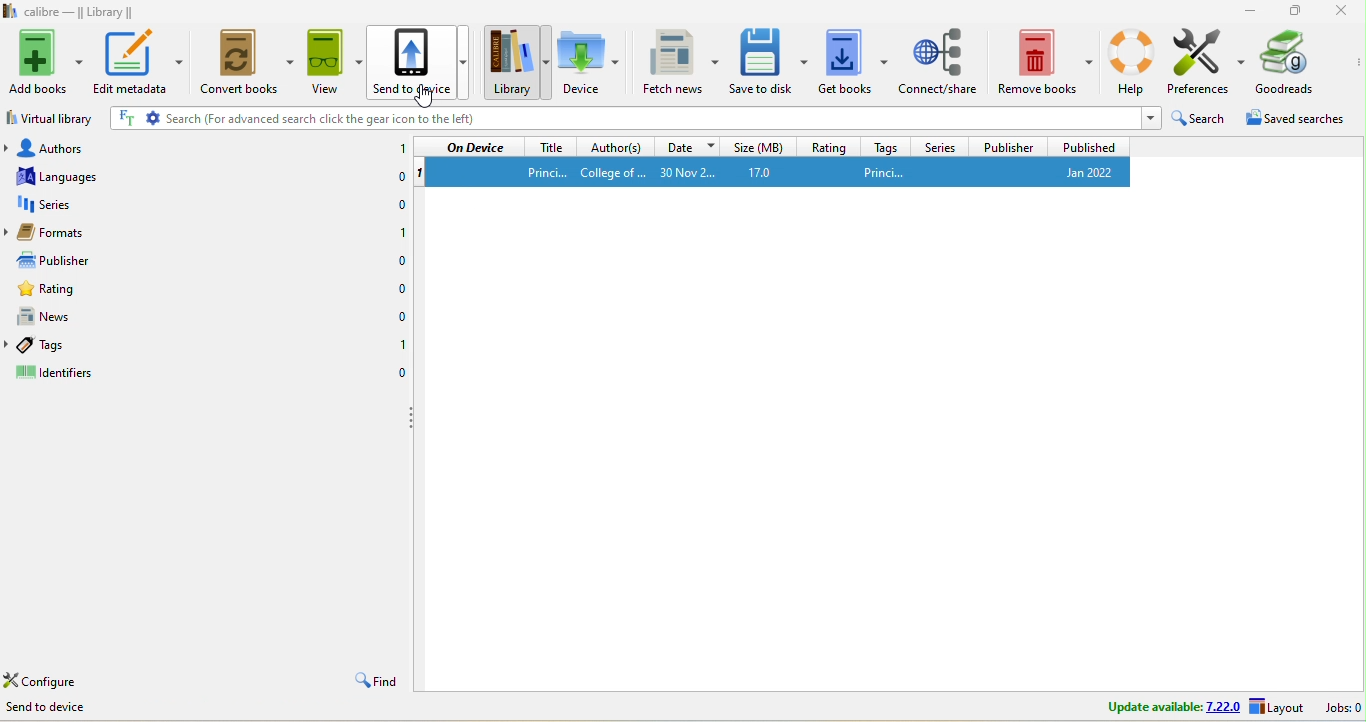 The width and height of the screenshot is (1366, 722). I want to click on edit metadata, so click(140, 63).